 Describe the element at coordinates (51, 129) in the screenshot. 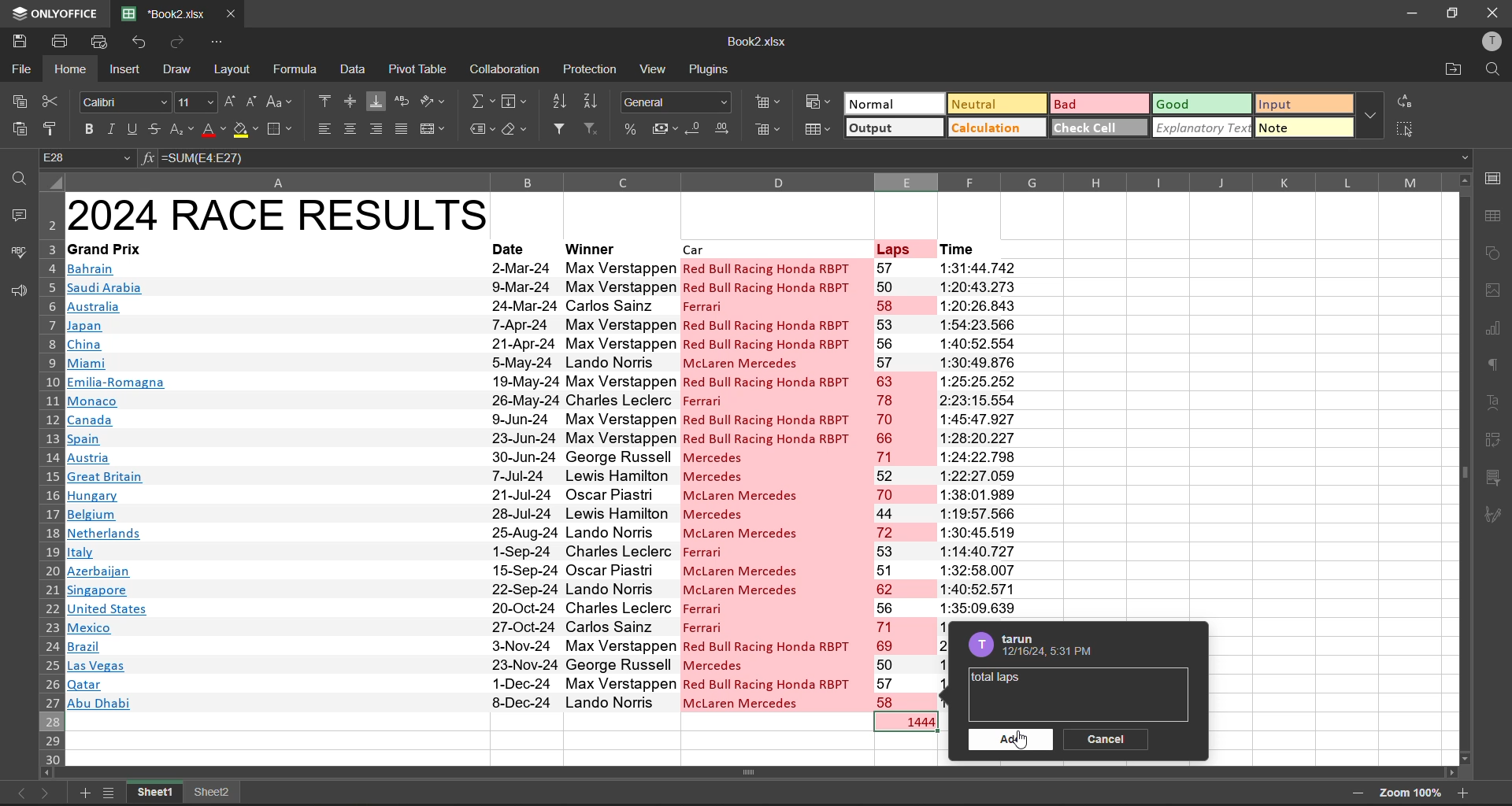

I see `copy style` at that location.